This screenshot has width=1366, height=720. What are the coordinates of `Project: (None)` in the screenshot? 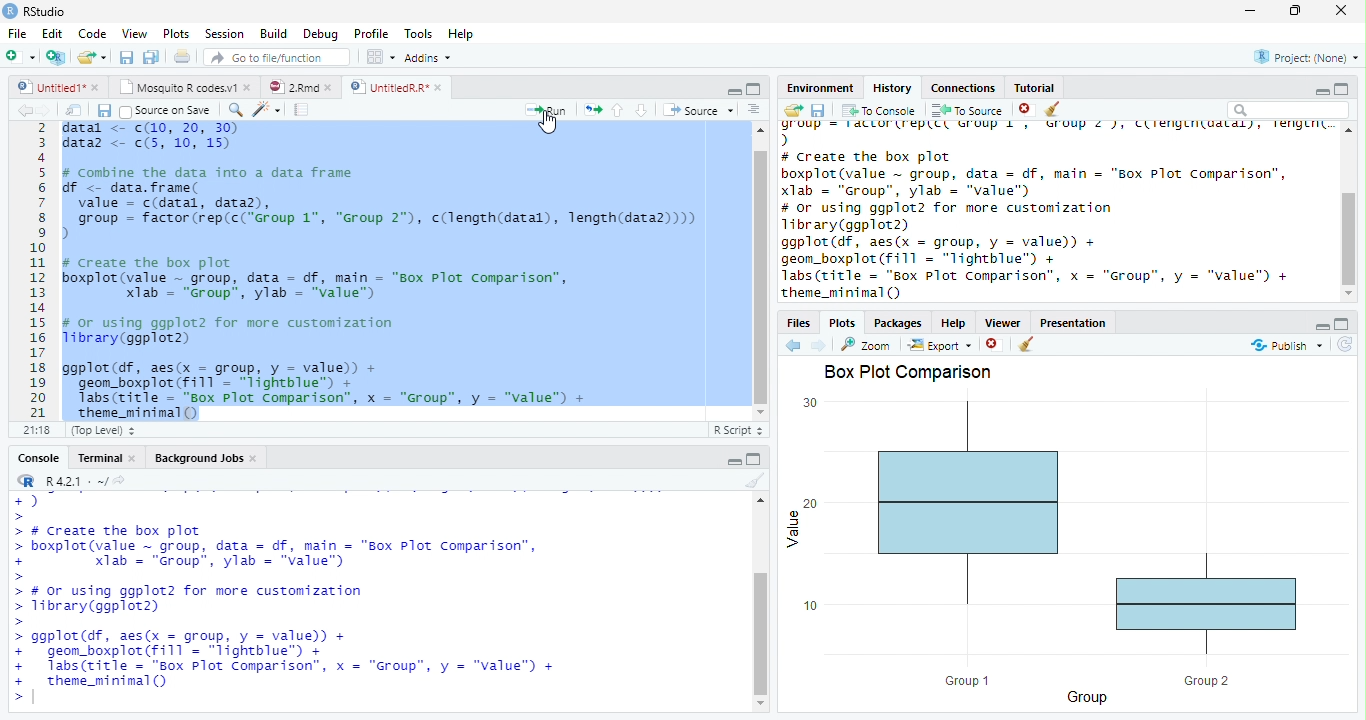 It's located at (1307, 57).